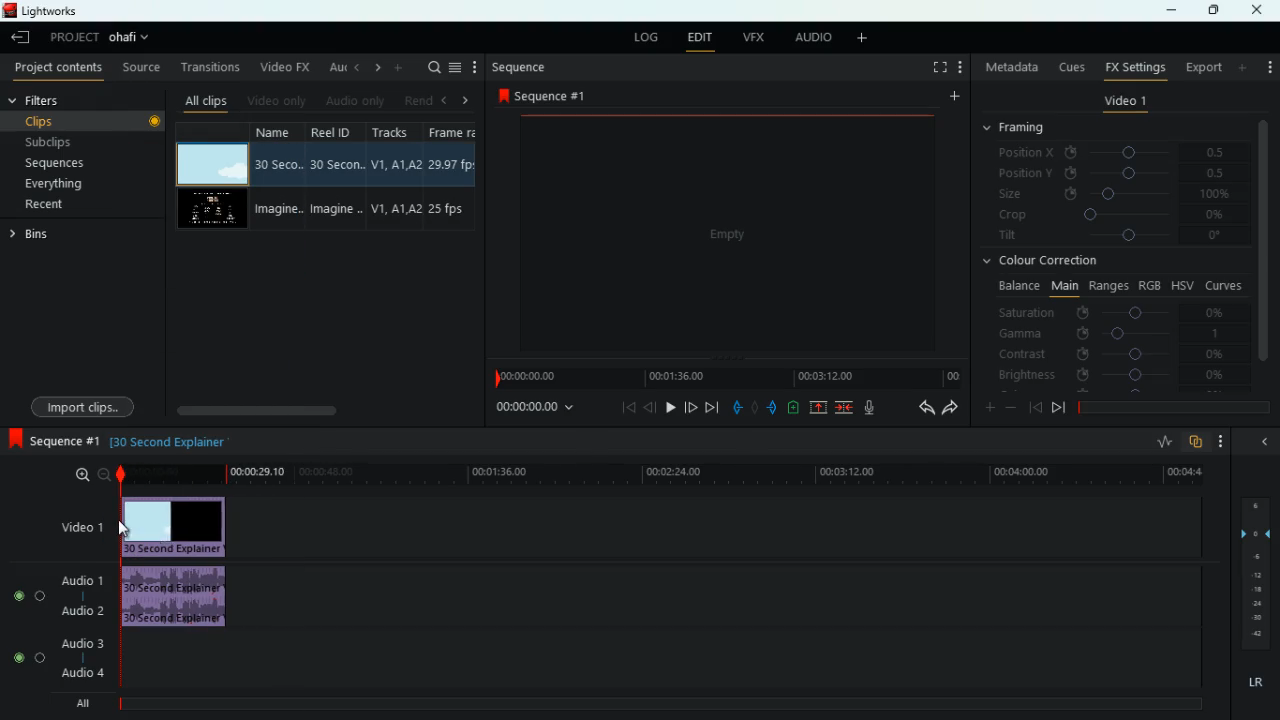  I want to click on log, so click(643, 35).